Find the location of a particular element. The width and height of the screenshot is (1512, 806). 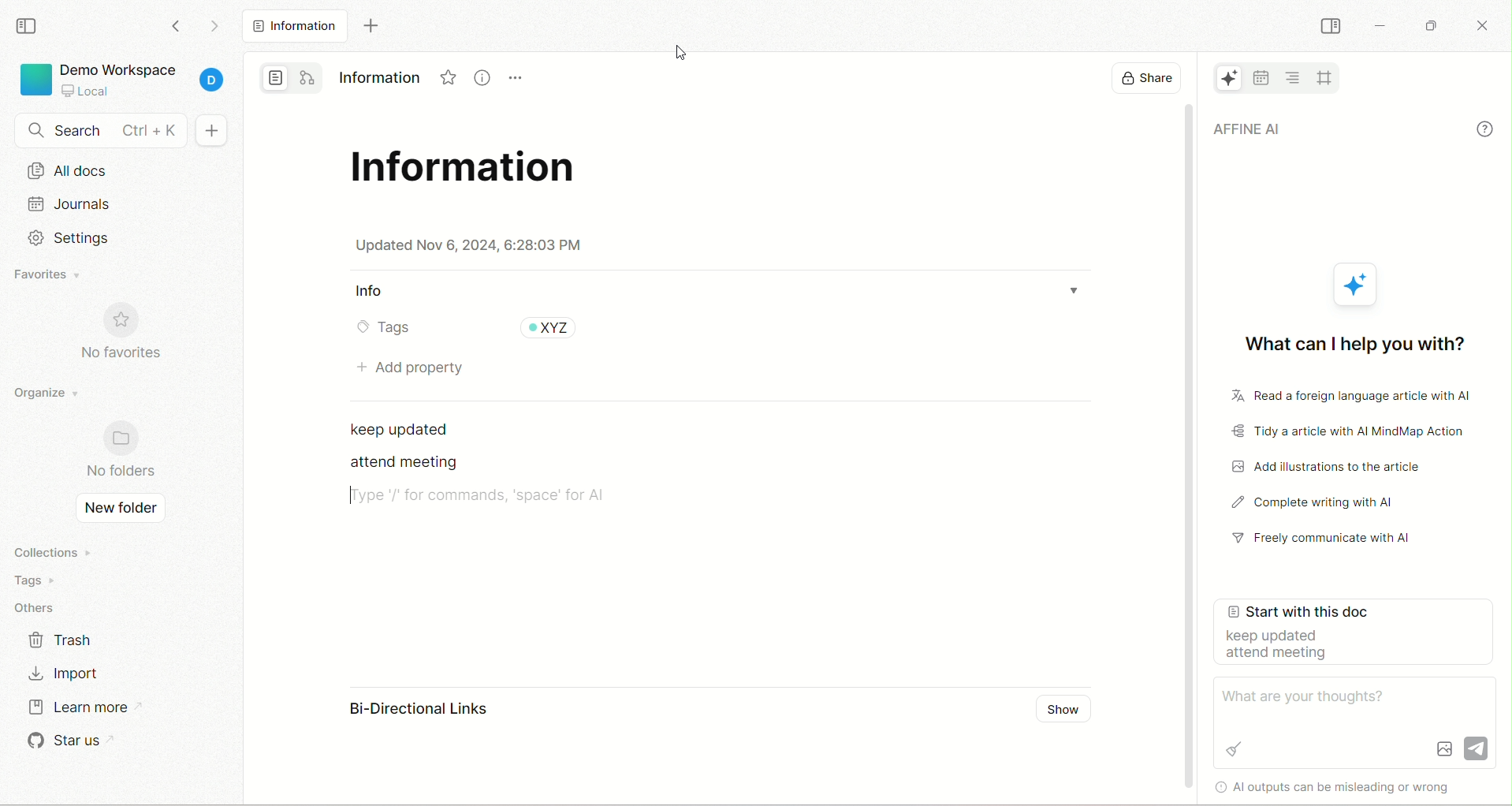

import is located at coordinates (70, 671).